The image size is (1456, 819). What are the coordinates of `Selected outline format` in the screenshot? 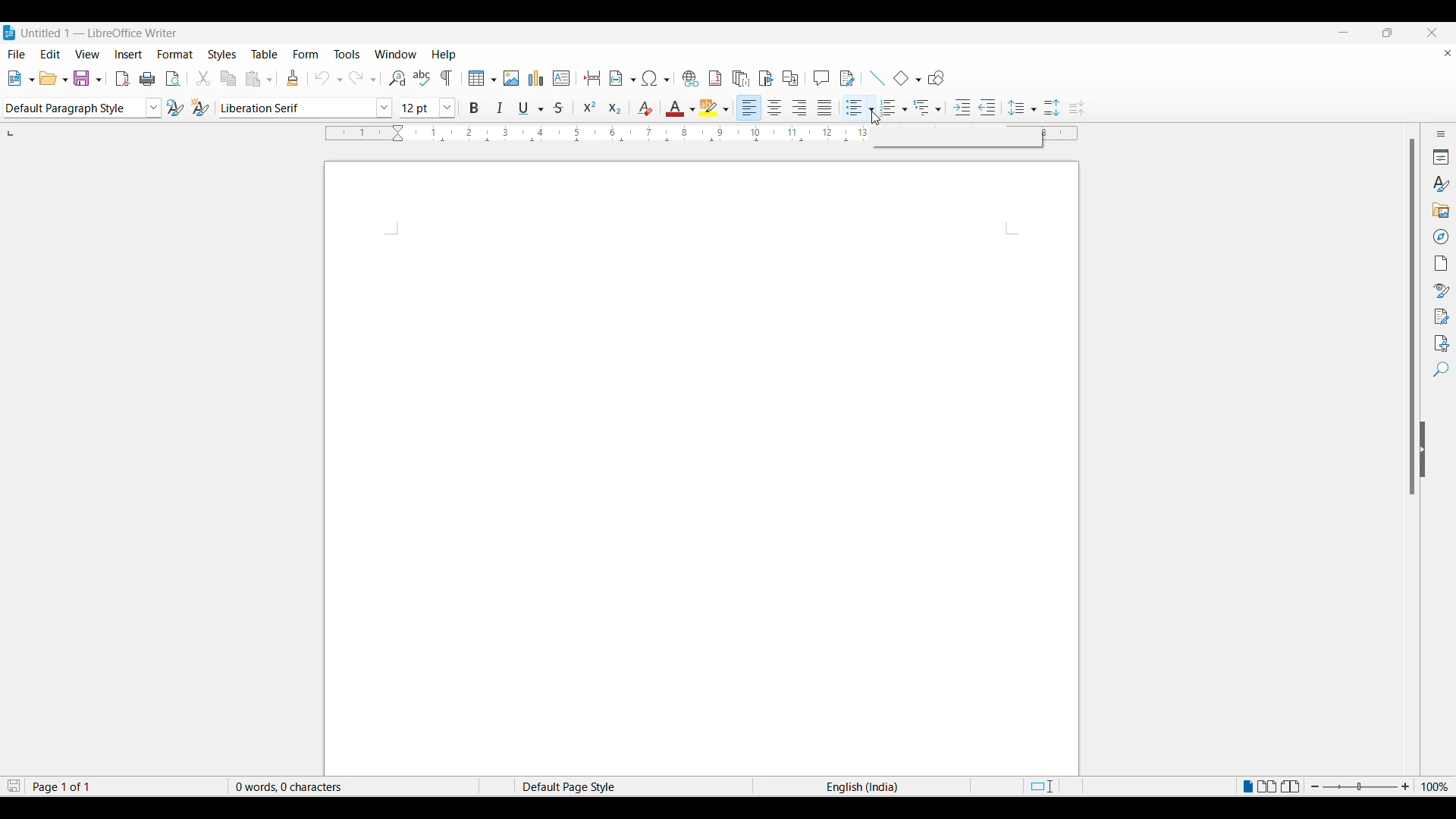 It's located at (927, 108).